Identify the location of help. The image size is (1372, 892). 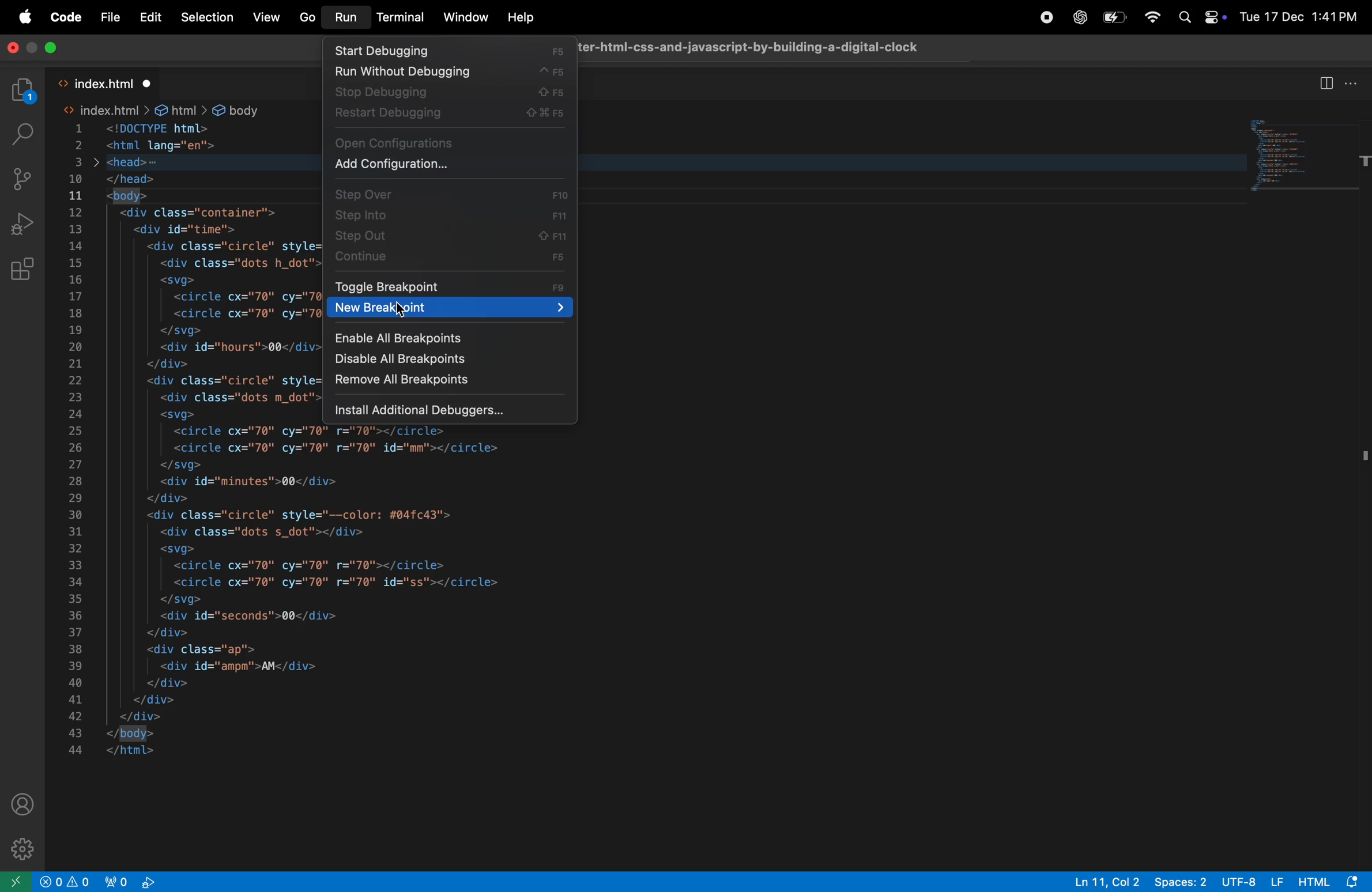
(519, 17).